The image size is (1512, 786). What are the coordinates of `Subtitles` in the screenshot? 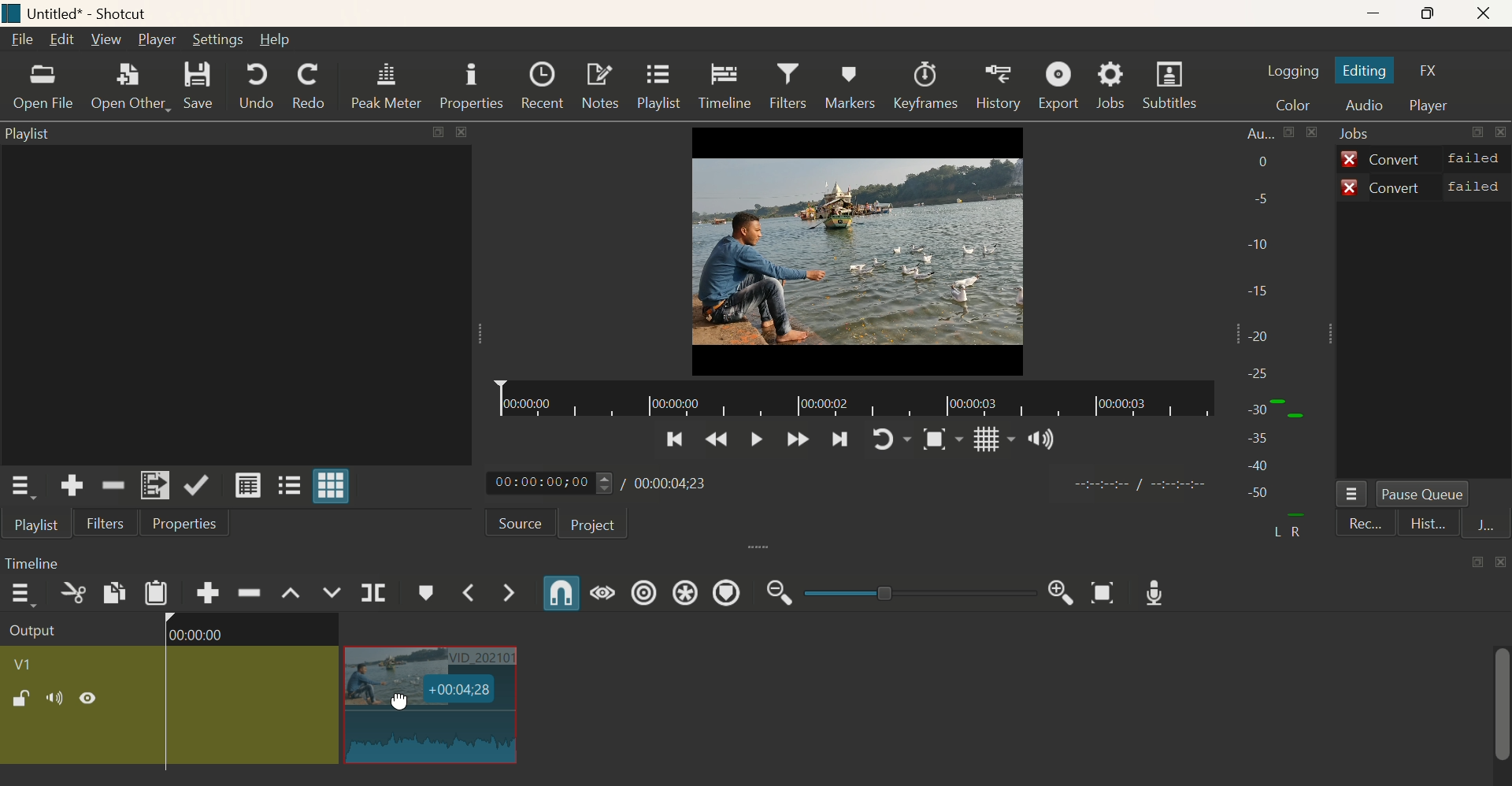 It's located at (1174, 83).